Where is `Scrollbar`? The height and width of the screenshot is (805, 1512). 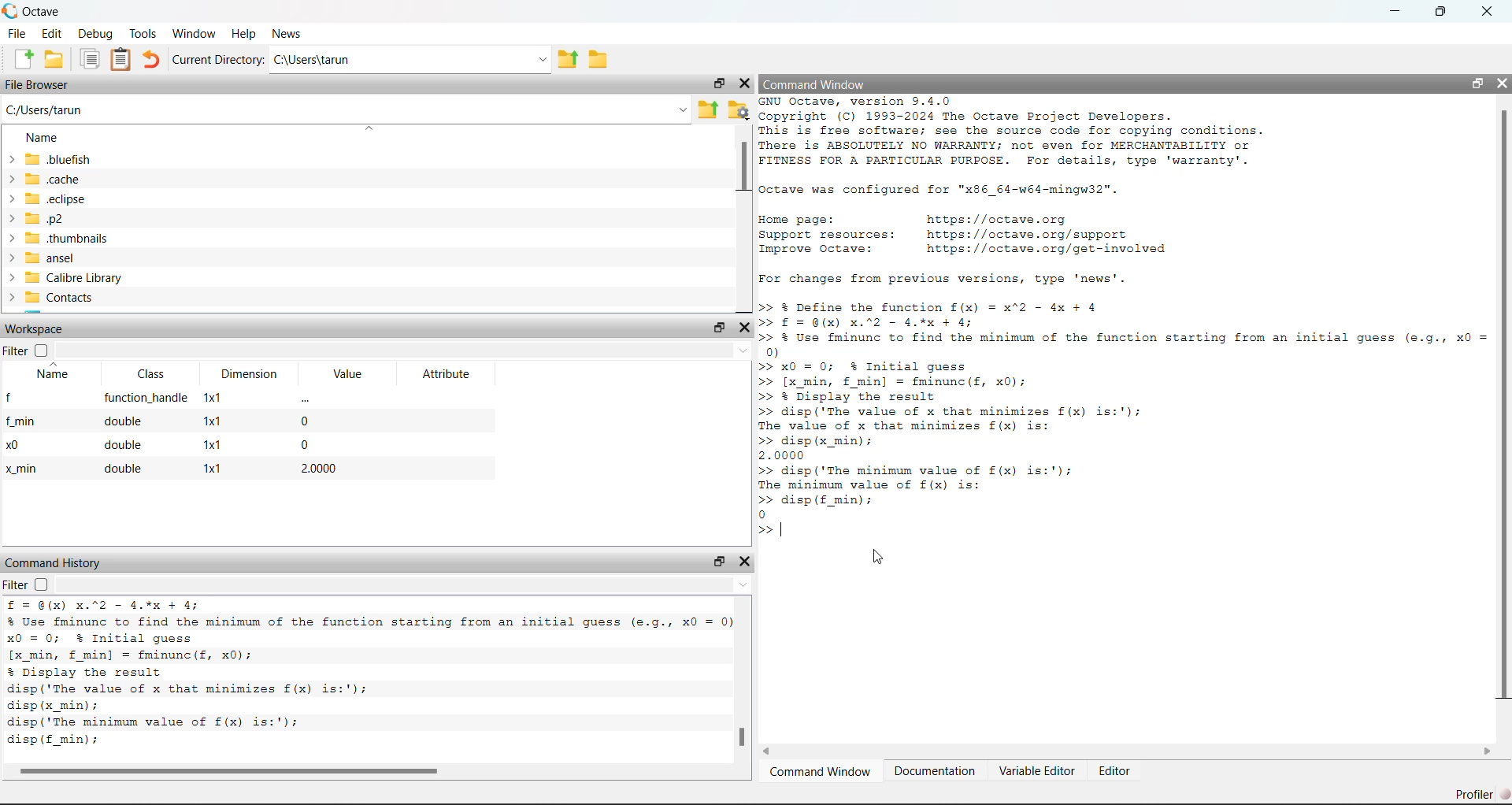
Scrollbar is located at coordinates (743, 737).